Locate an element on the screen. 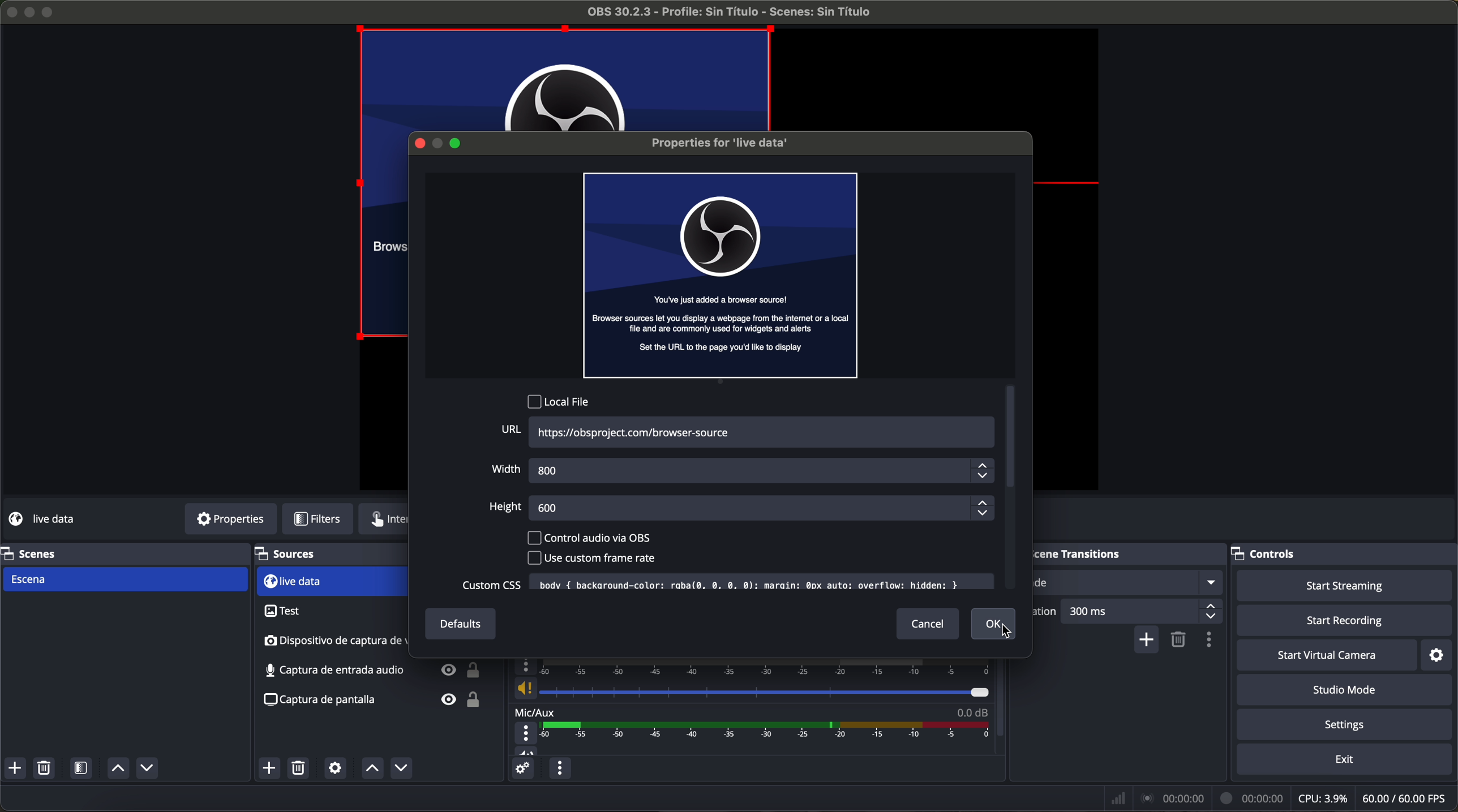  vol is located at coordinates (752, 689).